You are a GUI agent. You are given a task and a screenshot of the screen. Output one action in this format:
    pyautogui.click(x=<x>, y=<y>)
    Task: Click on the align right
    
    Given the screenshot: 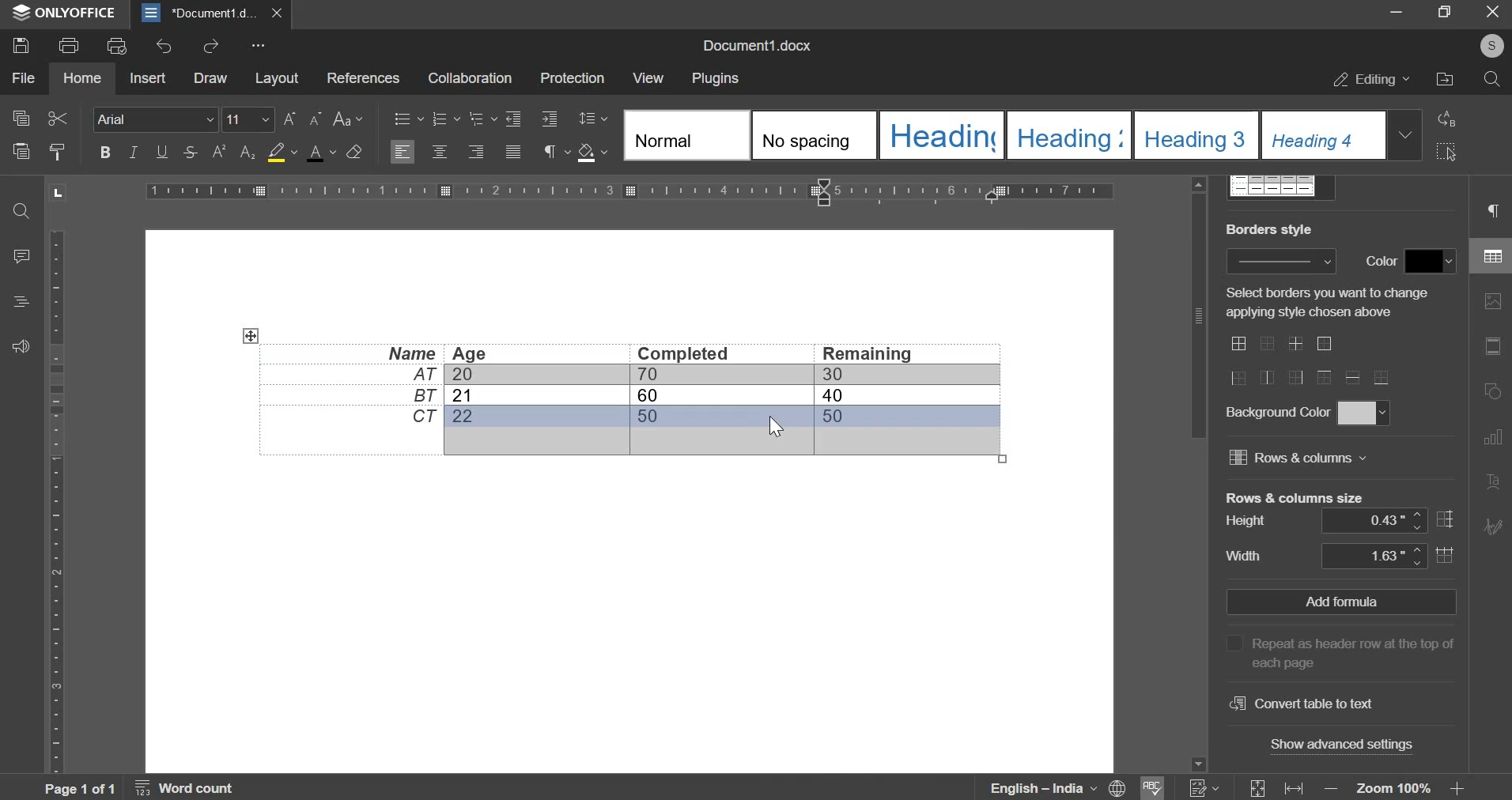 What is the action you would take?
    pyautogui.click(x=476, y=152)
    